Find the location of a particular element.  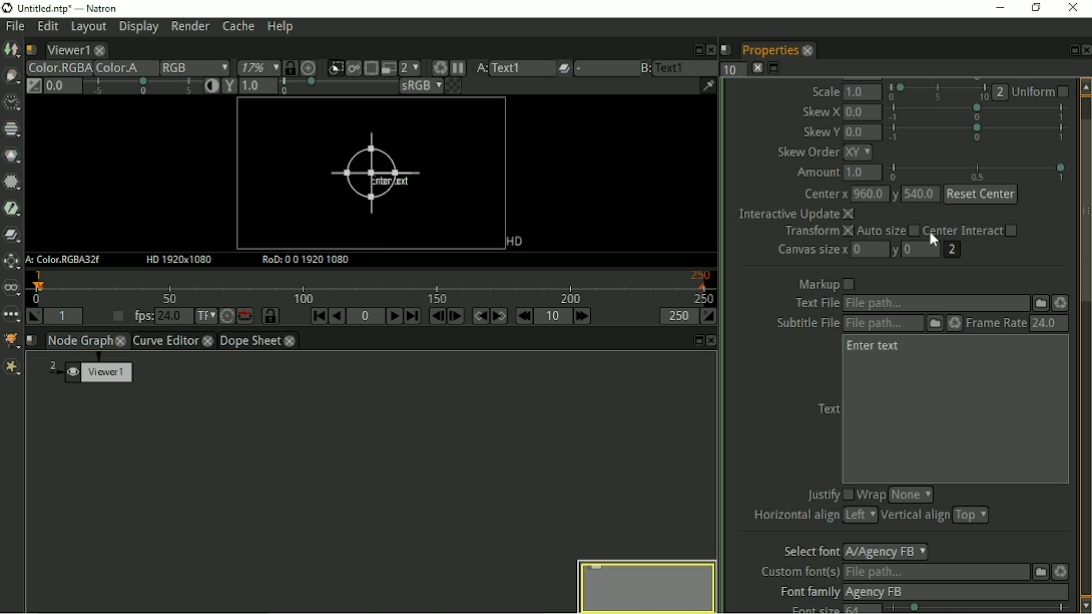

Viewer gamma correction is located at coordinates (228, 87).